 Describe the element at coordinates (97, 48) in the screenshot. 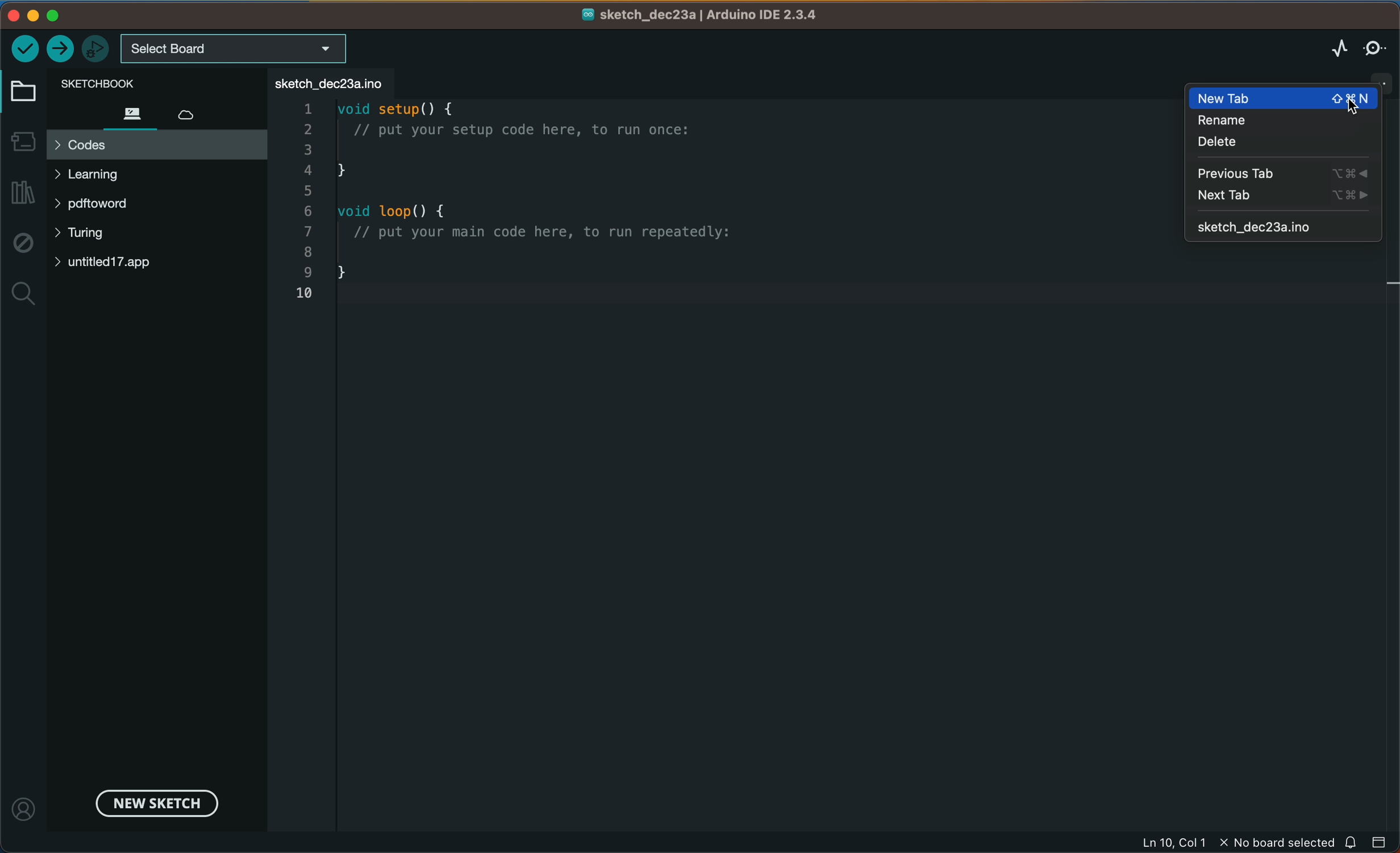

I see `debugger` at that location.